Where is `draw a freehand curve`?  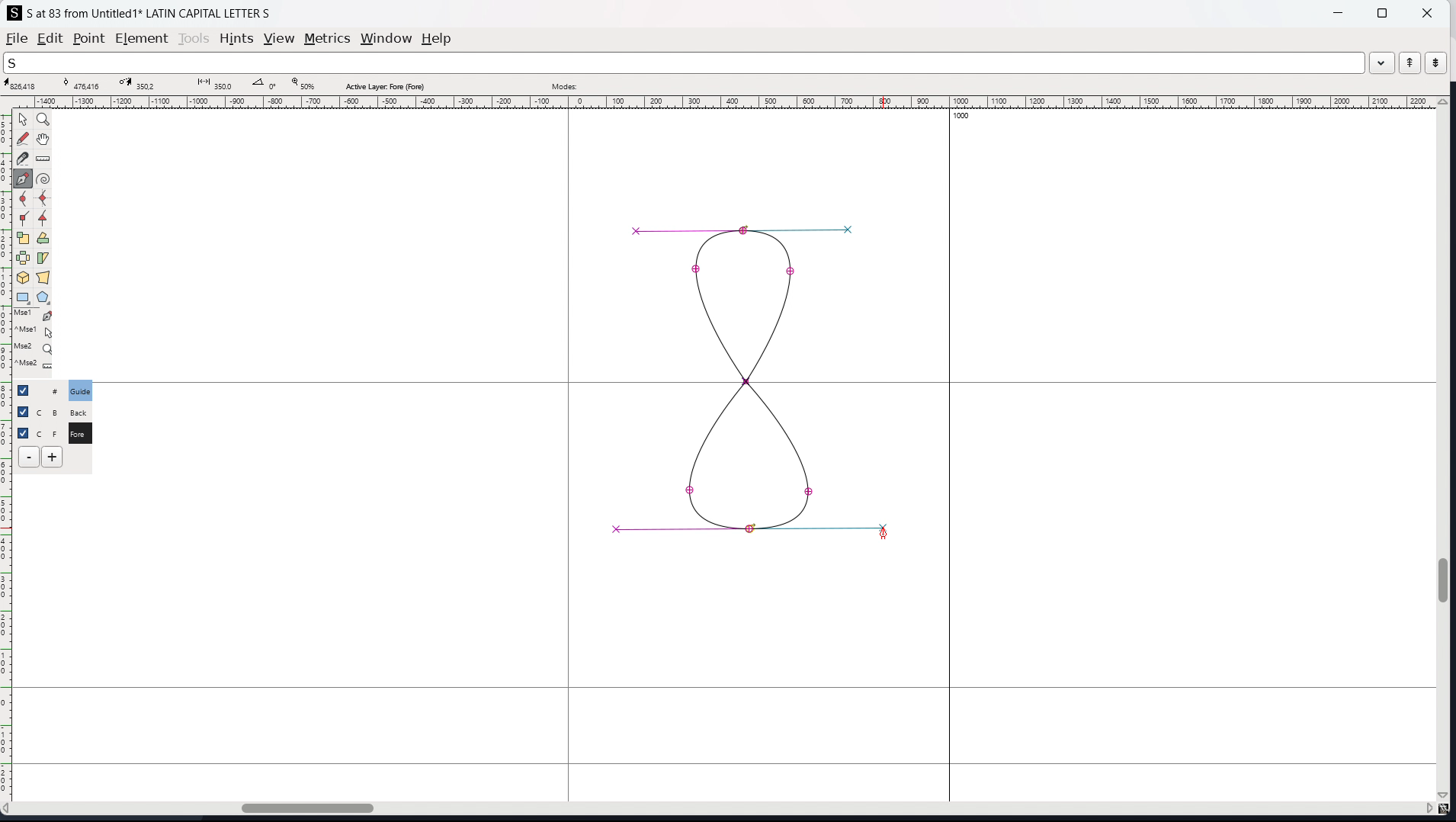
draw a freehand curve is located at coordinates (23, 139).